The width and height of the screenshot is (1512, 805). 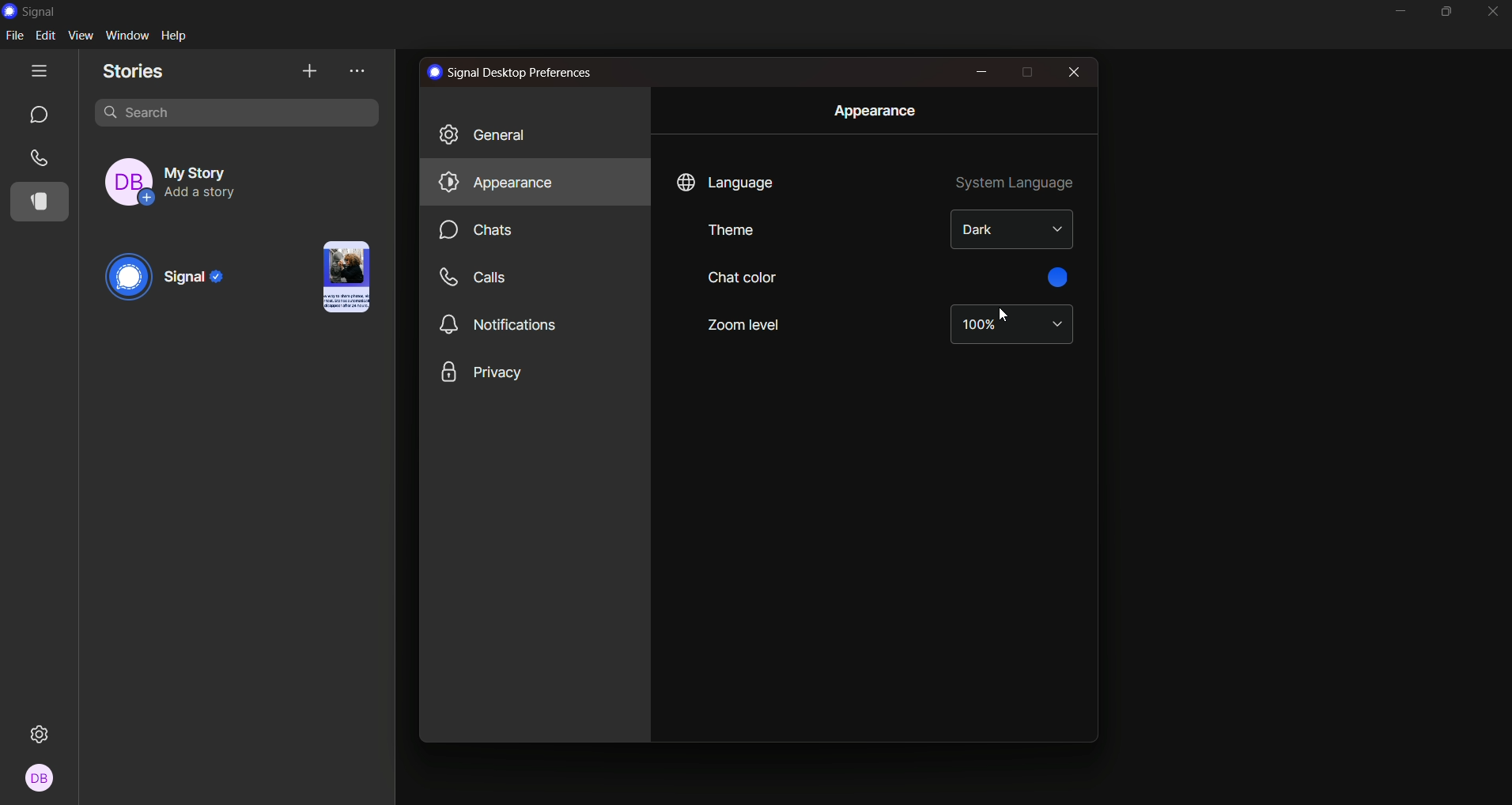 I want to click on chat, so click(x=38, y=114).